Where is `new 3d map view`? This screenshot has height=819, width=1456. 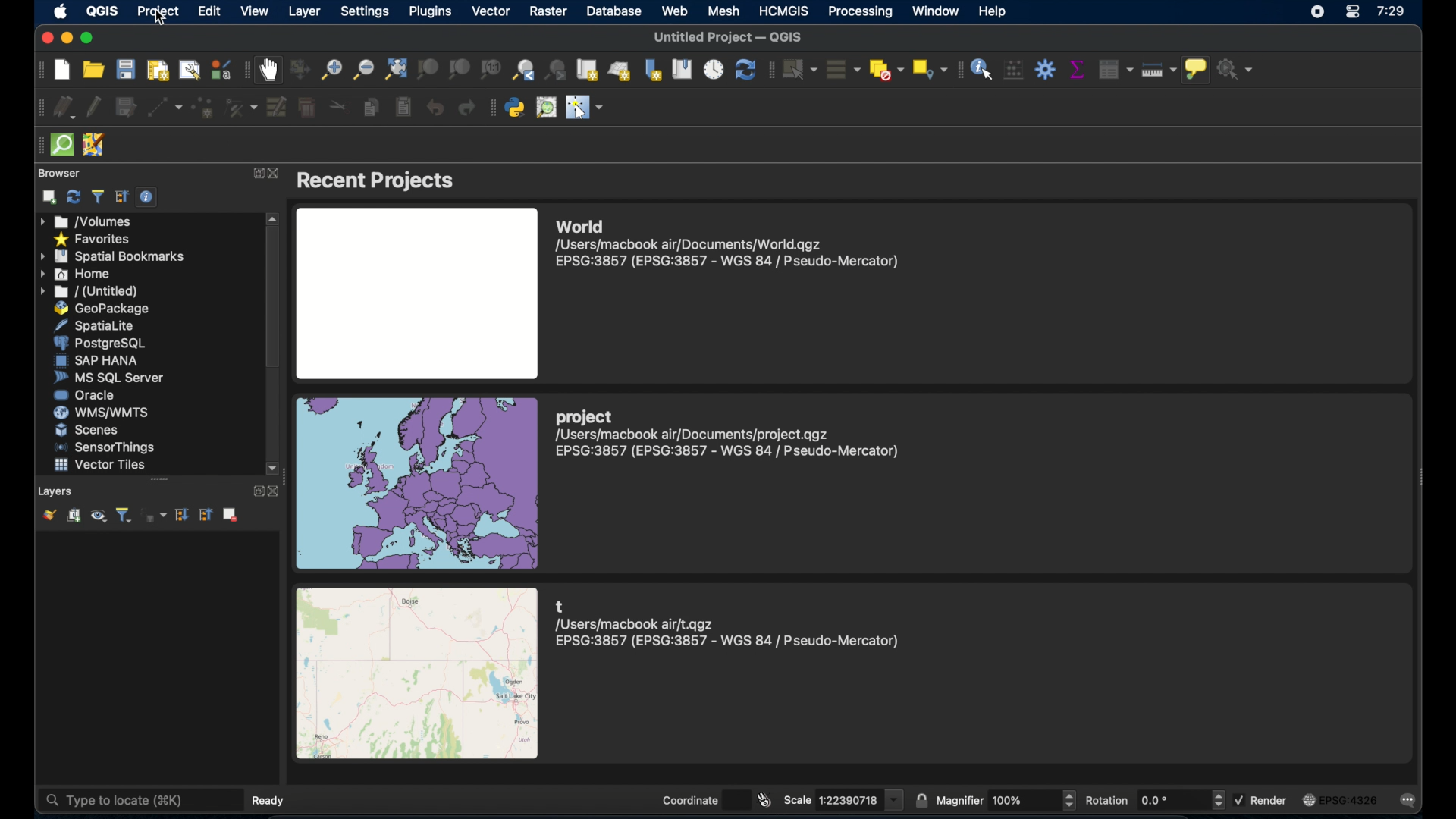
new 3d map view is located at coordinates (620, 72).